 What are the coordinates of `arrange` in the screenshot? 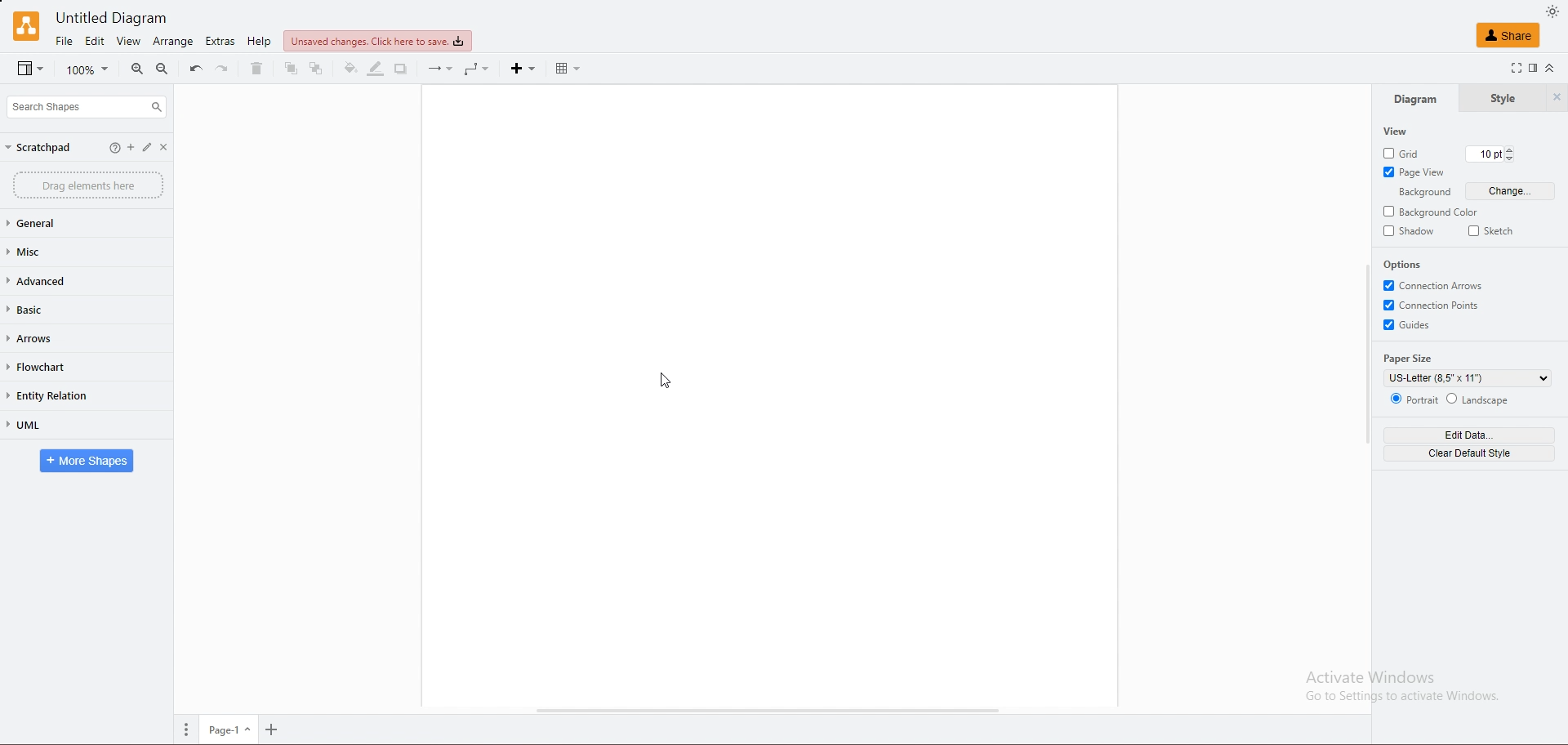 It's located at (172, 41).